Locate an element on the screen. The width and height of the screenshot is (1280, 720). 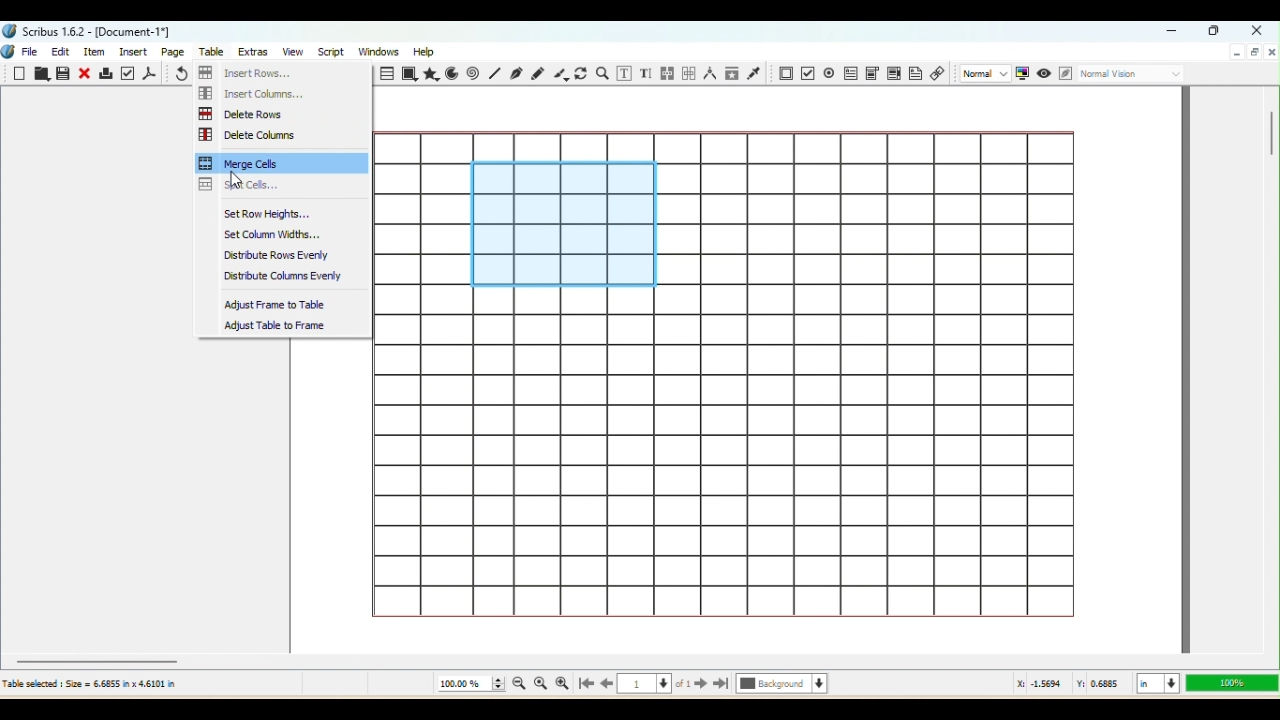
Line is located at coordinates (494, 74).